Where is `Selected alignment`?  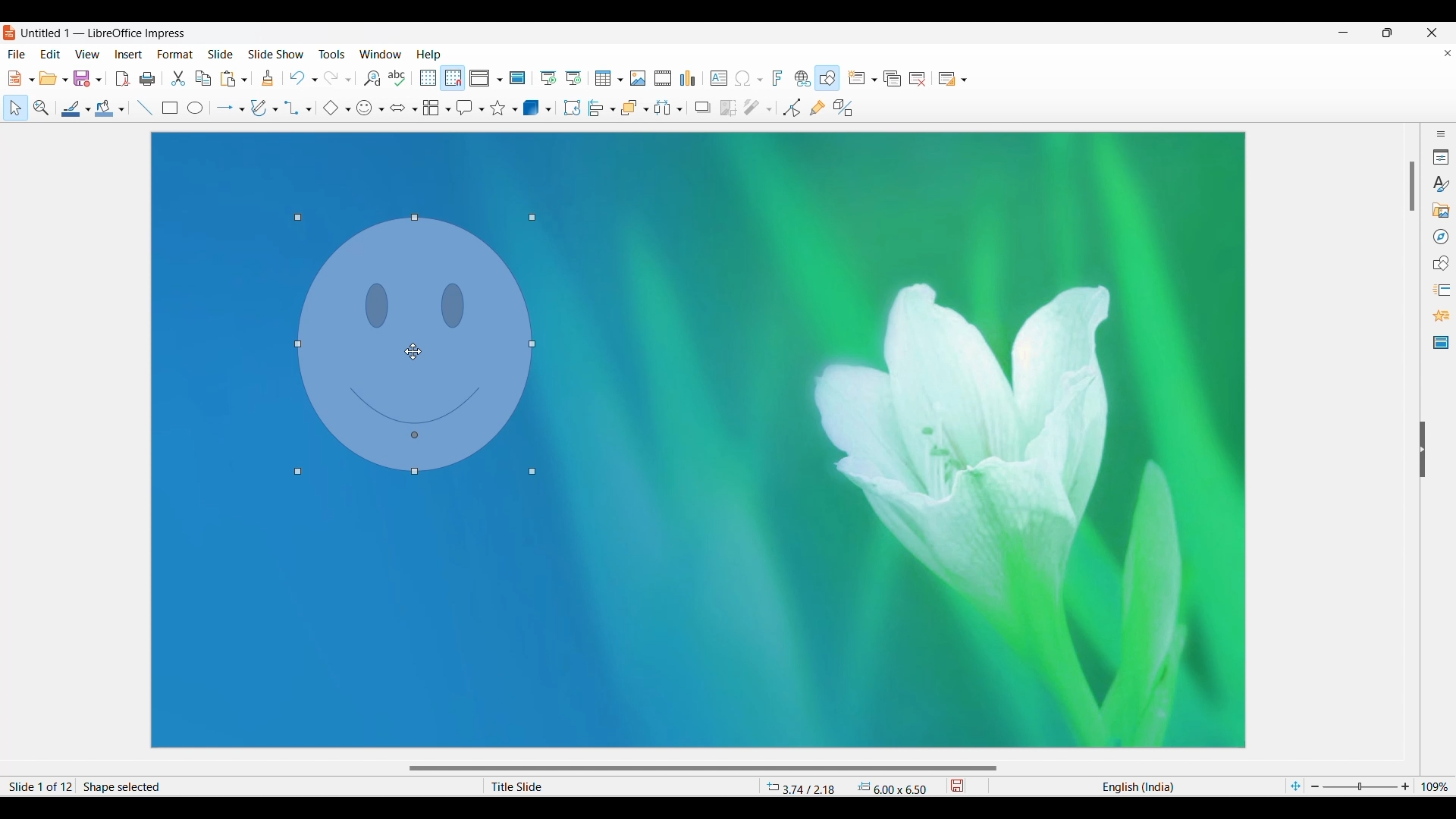
Selected alignment is located at coordinates (597, 108).